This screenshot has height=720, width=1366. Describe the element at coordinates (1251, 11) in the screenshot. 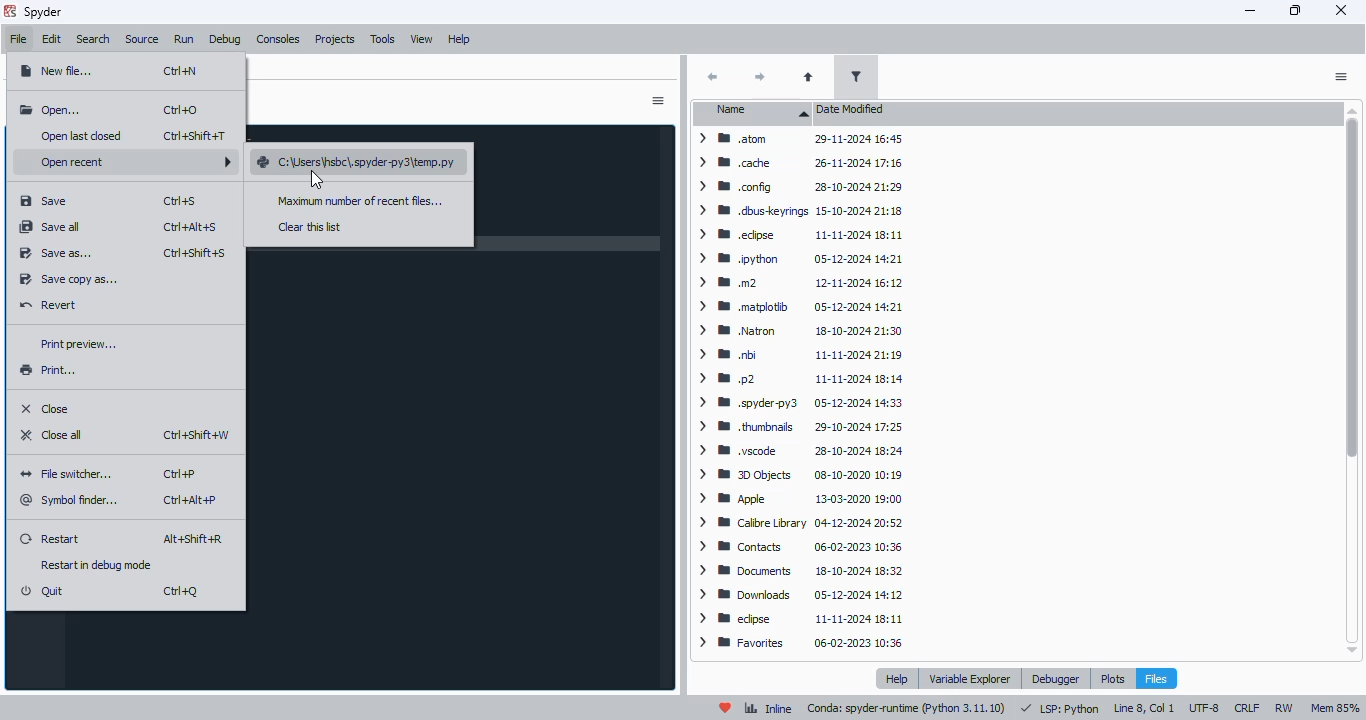

I see `minimize` at that location.